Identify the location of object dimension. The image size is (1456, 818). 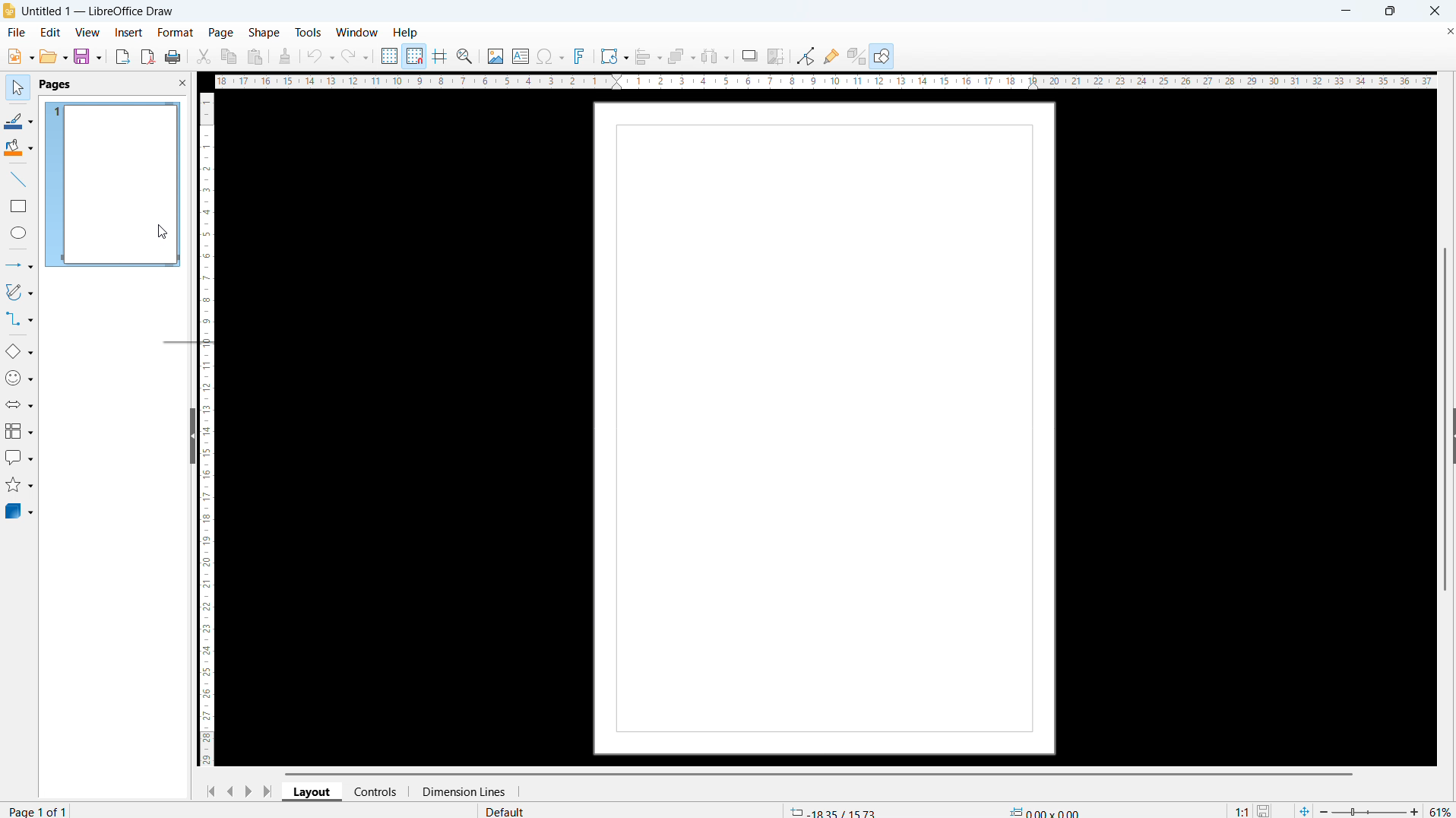
(1046, 810).